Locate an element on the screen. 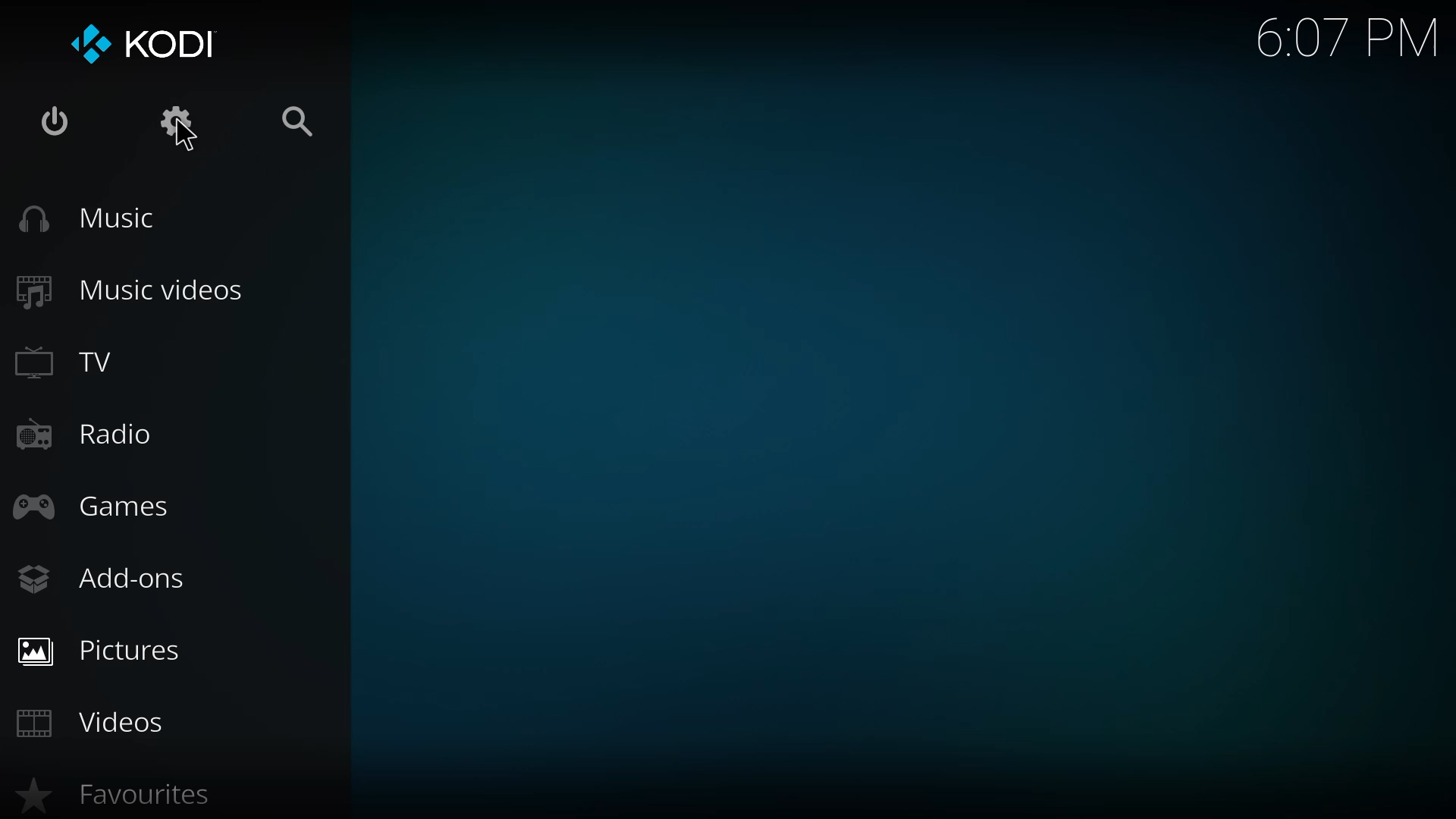 This screenshot has height=819, width=1456. power is located at coordinates (56, 121).